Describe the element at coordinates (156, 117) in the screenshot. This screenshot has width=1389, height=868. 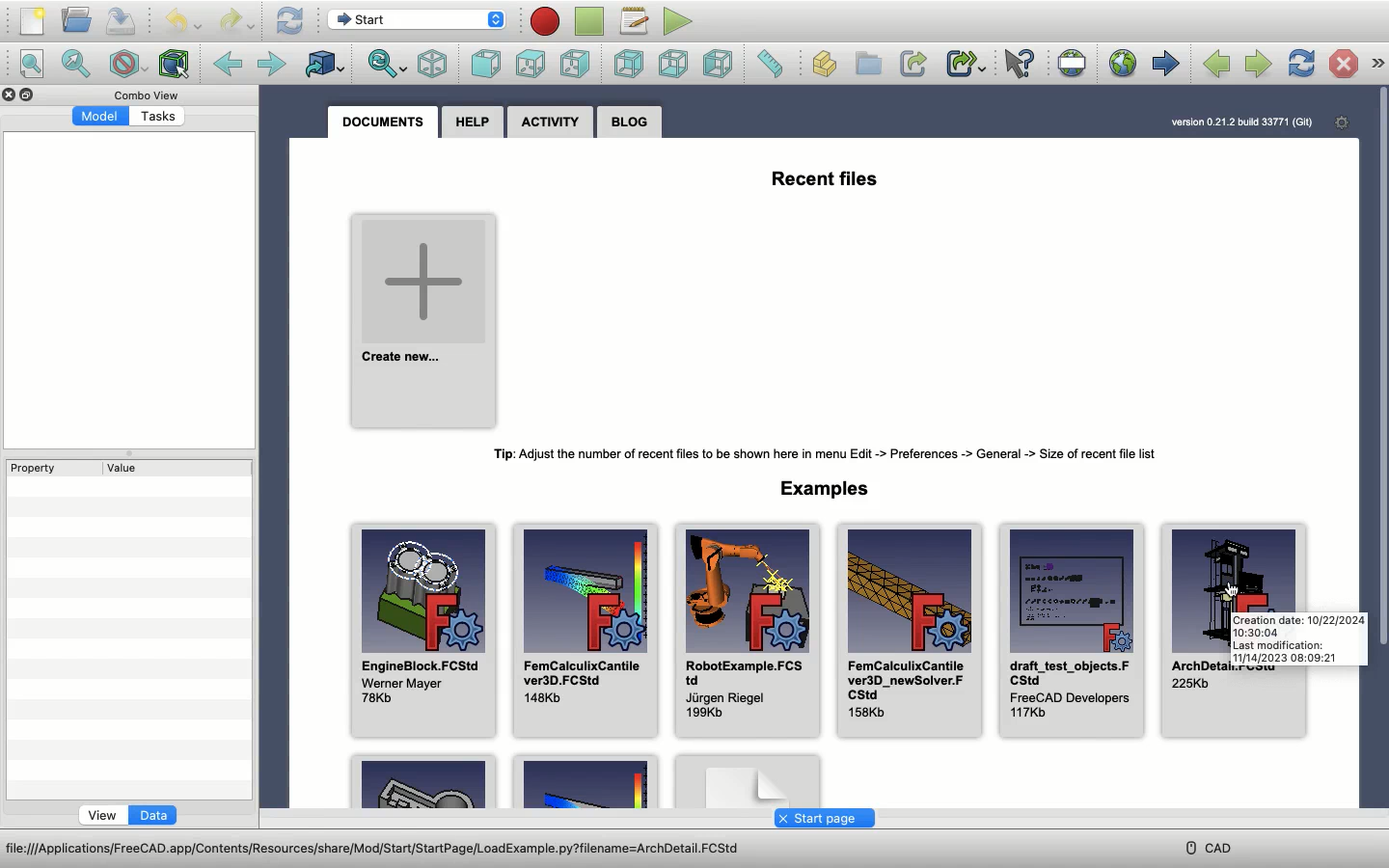
I see `Tasks` at that location.